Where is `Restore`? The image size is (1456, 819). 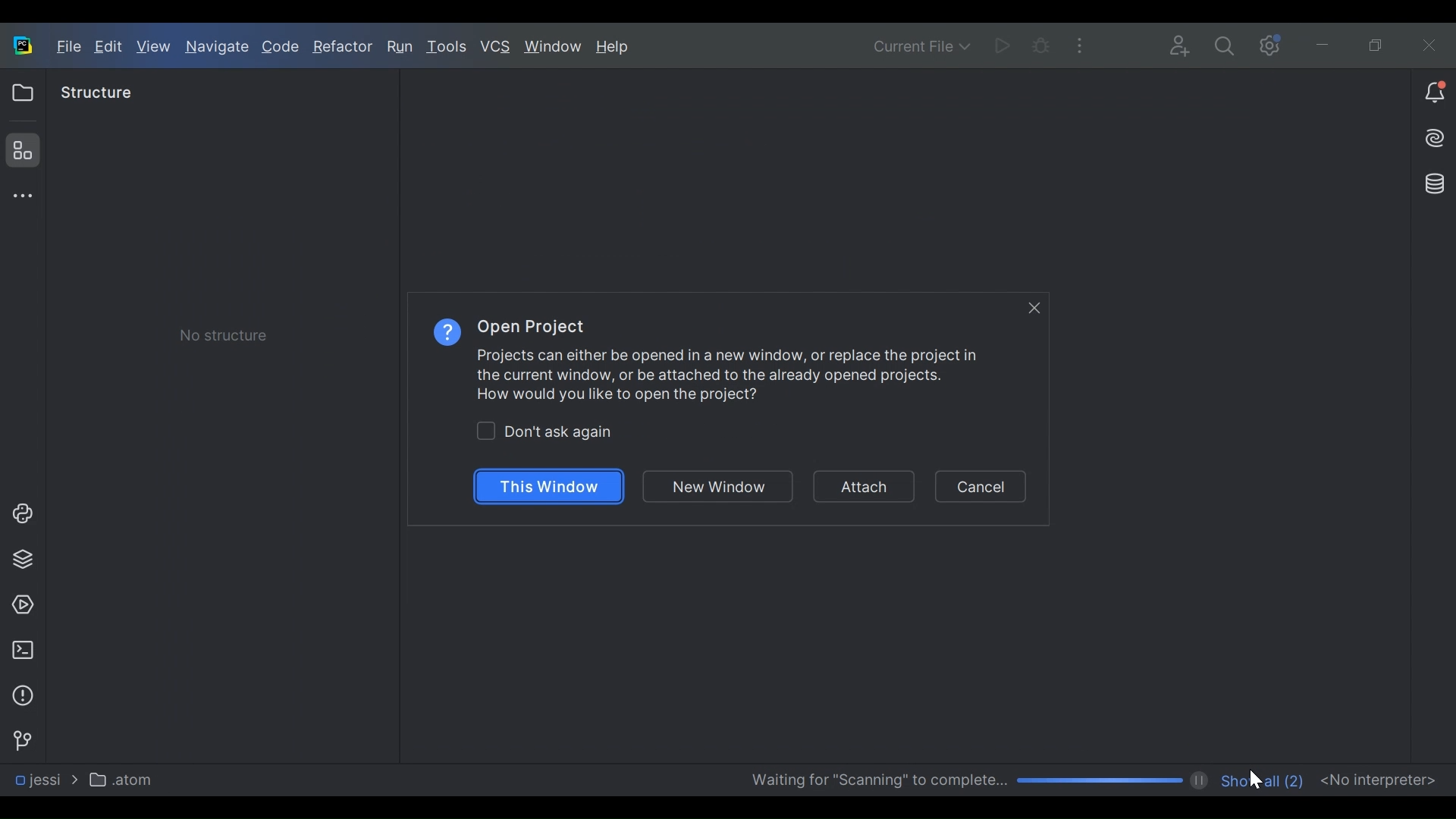
Restore is located at coordinates (1376, 45).